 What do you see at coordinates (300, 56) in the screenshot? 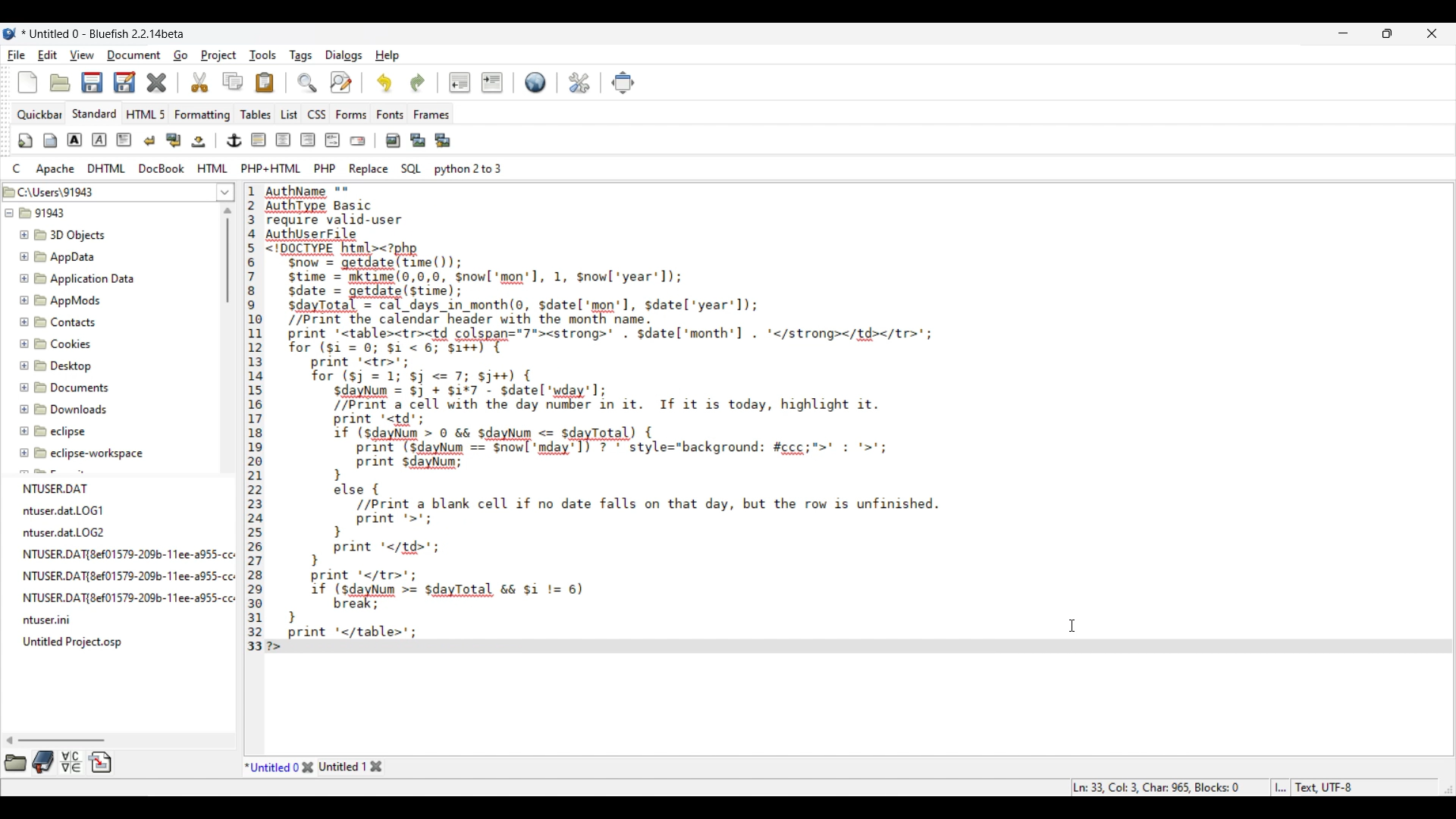
I see `Tags menu` at bounding box center [300, 56].